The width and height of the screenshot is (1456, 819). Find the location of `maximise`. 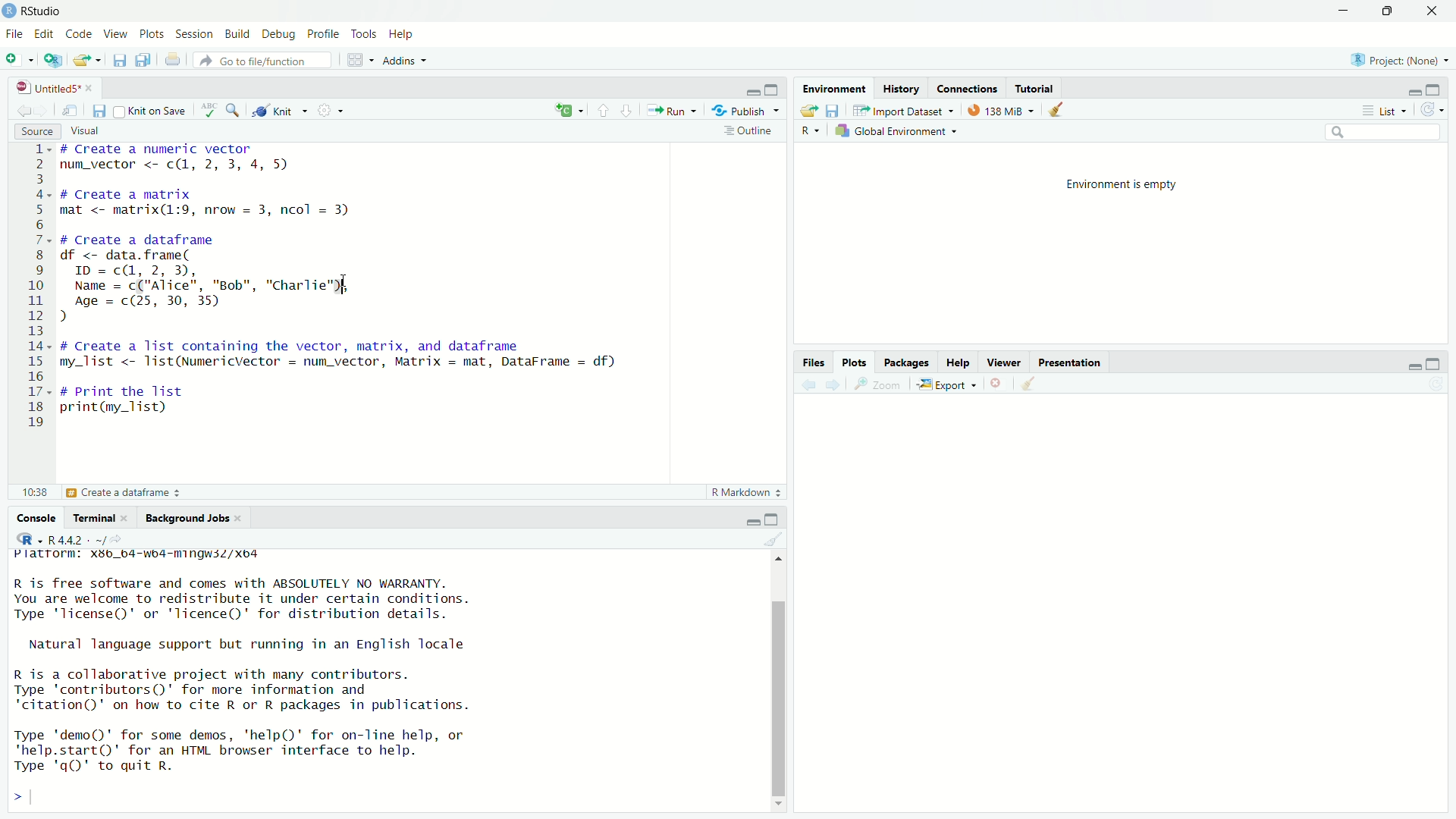

maximise is located at coordinates (1439, 361).